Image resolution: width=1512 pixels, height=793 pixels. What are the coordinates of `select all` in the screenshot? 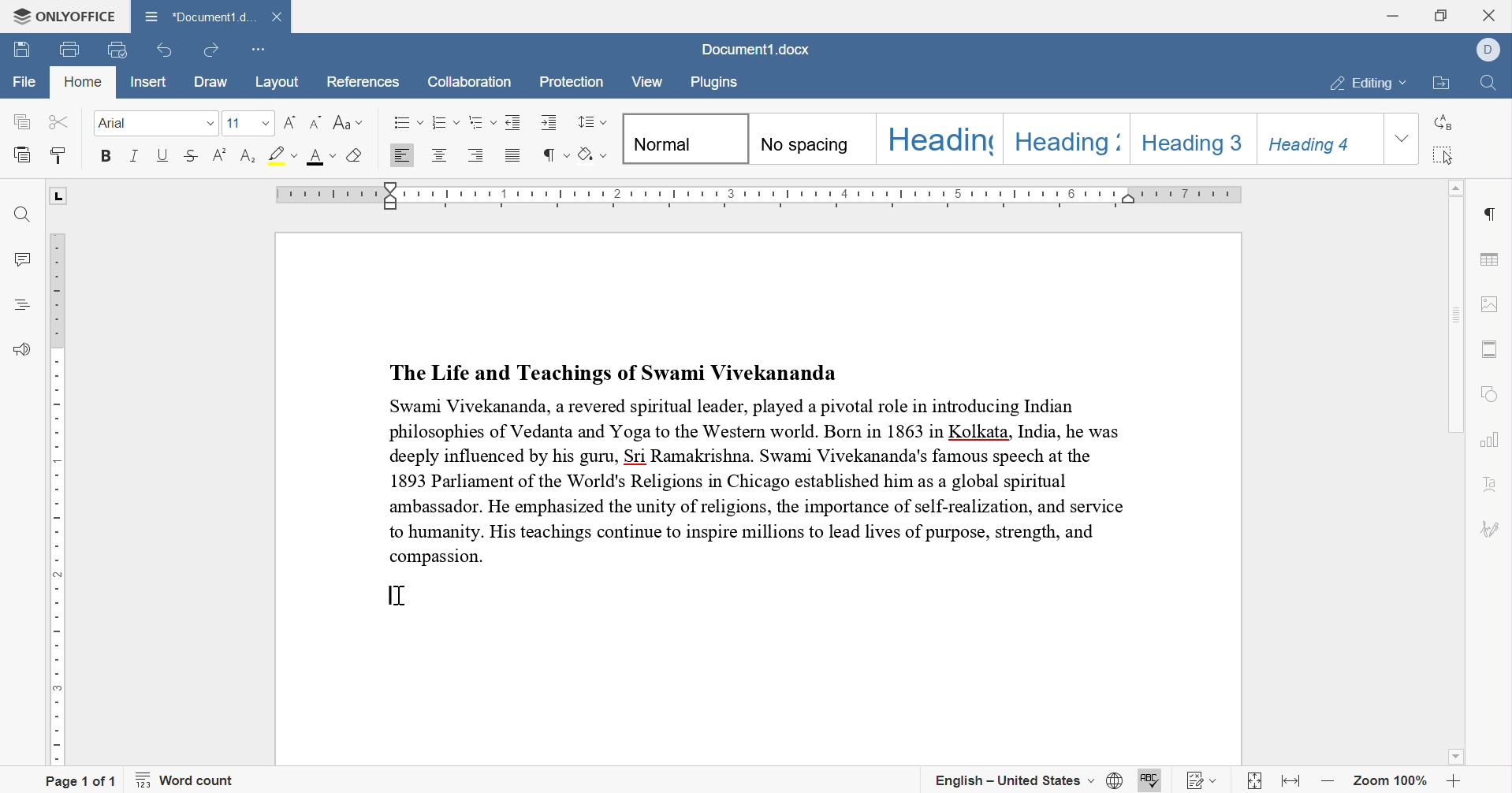 It's located at (1443, 156).